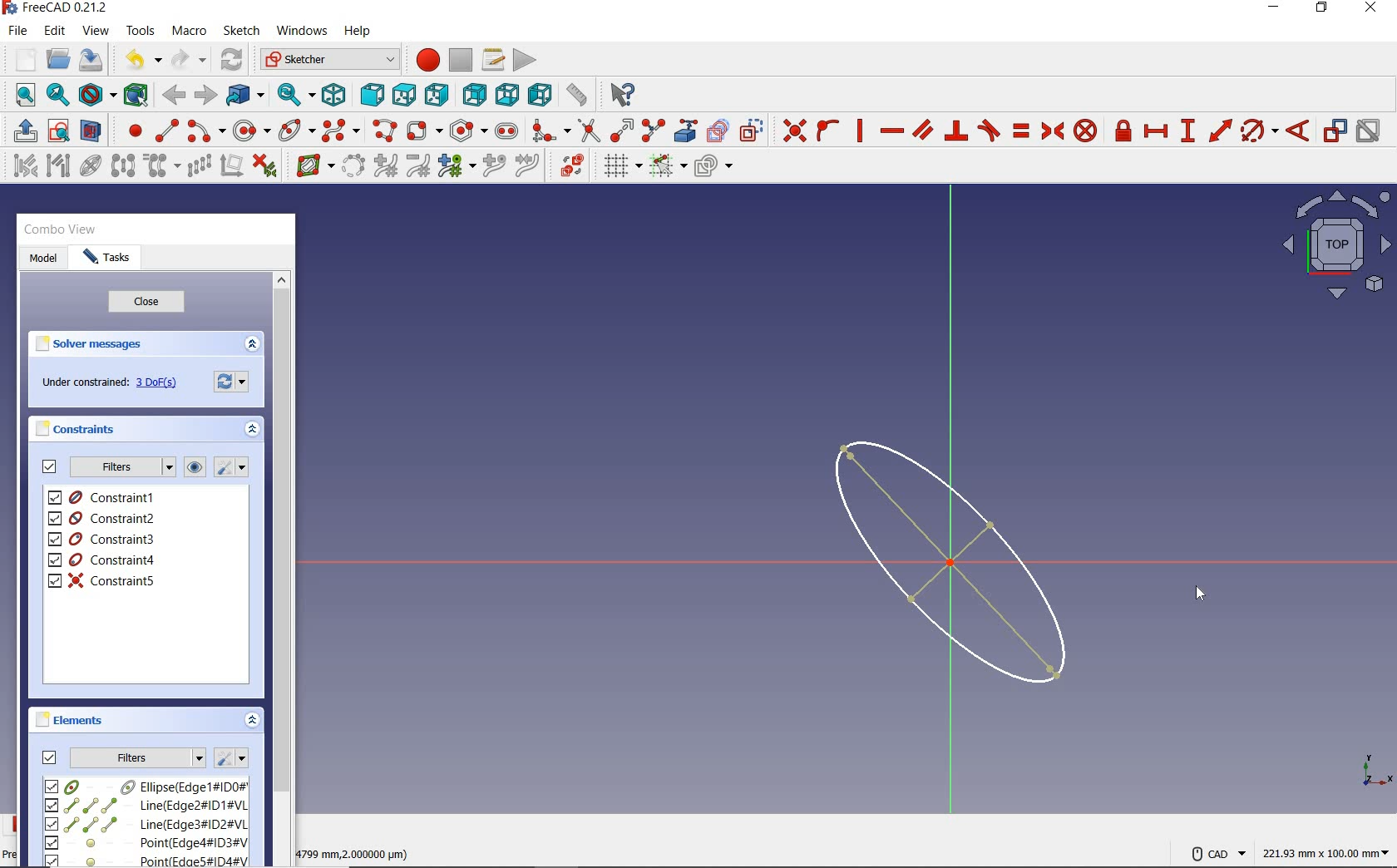 The width and height of the screenshot is (1397, 868). Describe the element at coordinates (571, 165) in the screenshot. I see `switch virtual space` at that location.